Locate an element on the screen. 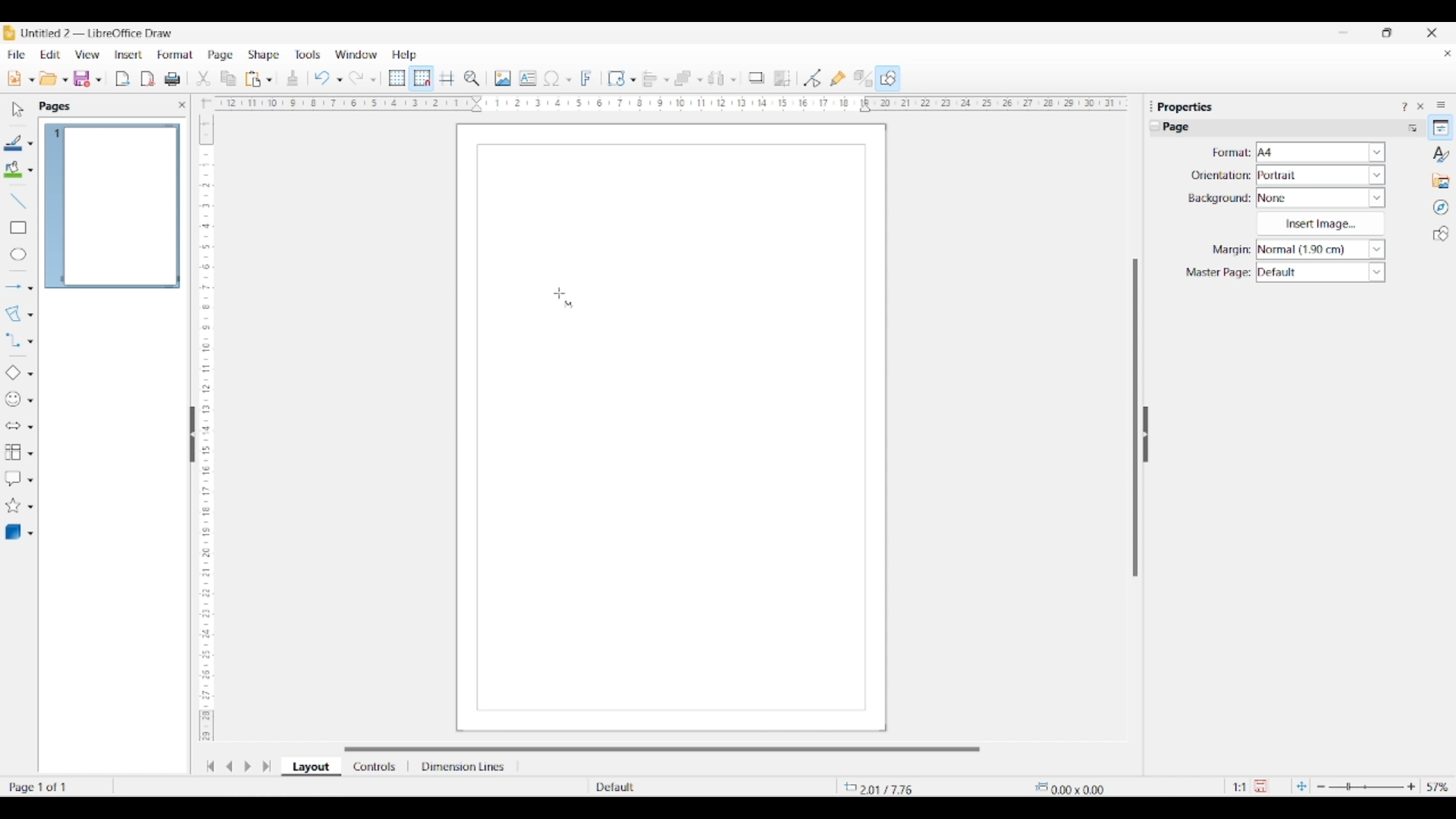  Fill color options is located at coordinates (30, 171).